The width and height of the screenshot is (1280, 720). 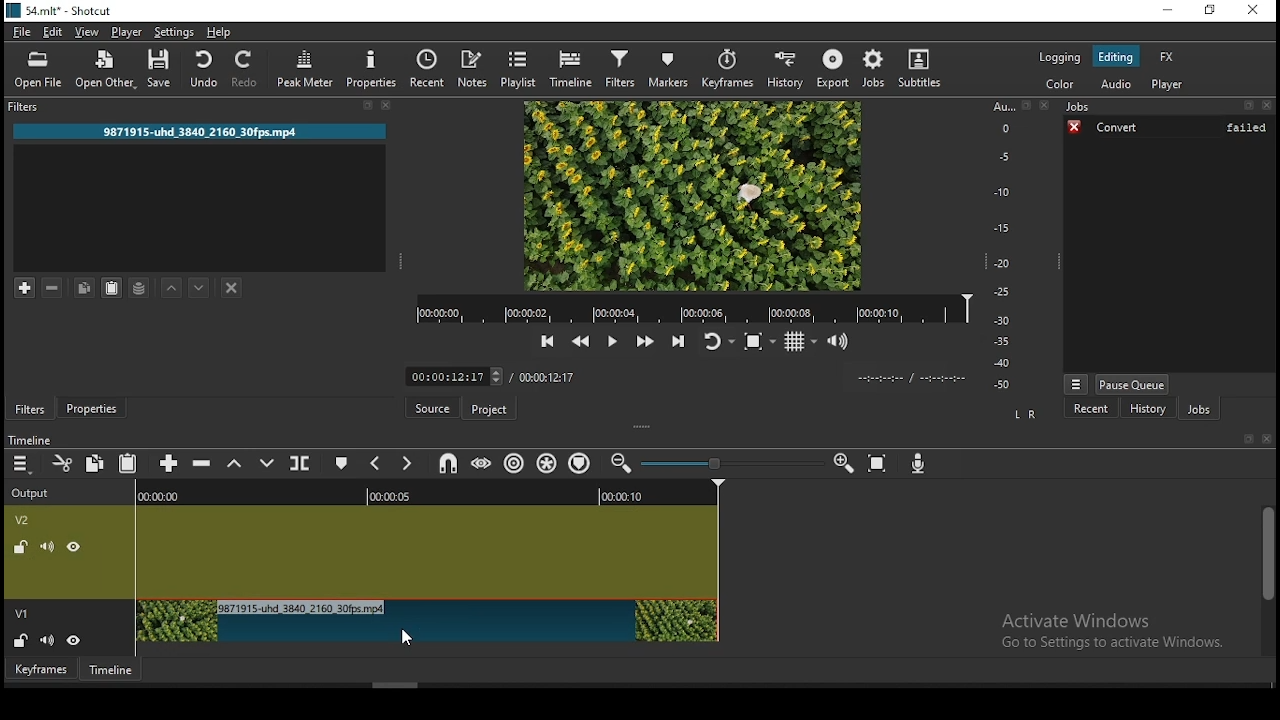 What do you see at coordinates (841, 465) in the screenshot?
I see `zoom timeline out` at bounding box center [841, 465].